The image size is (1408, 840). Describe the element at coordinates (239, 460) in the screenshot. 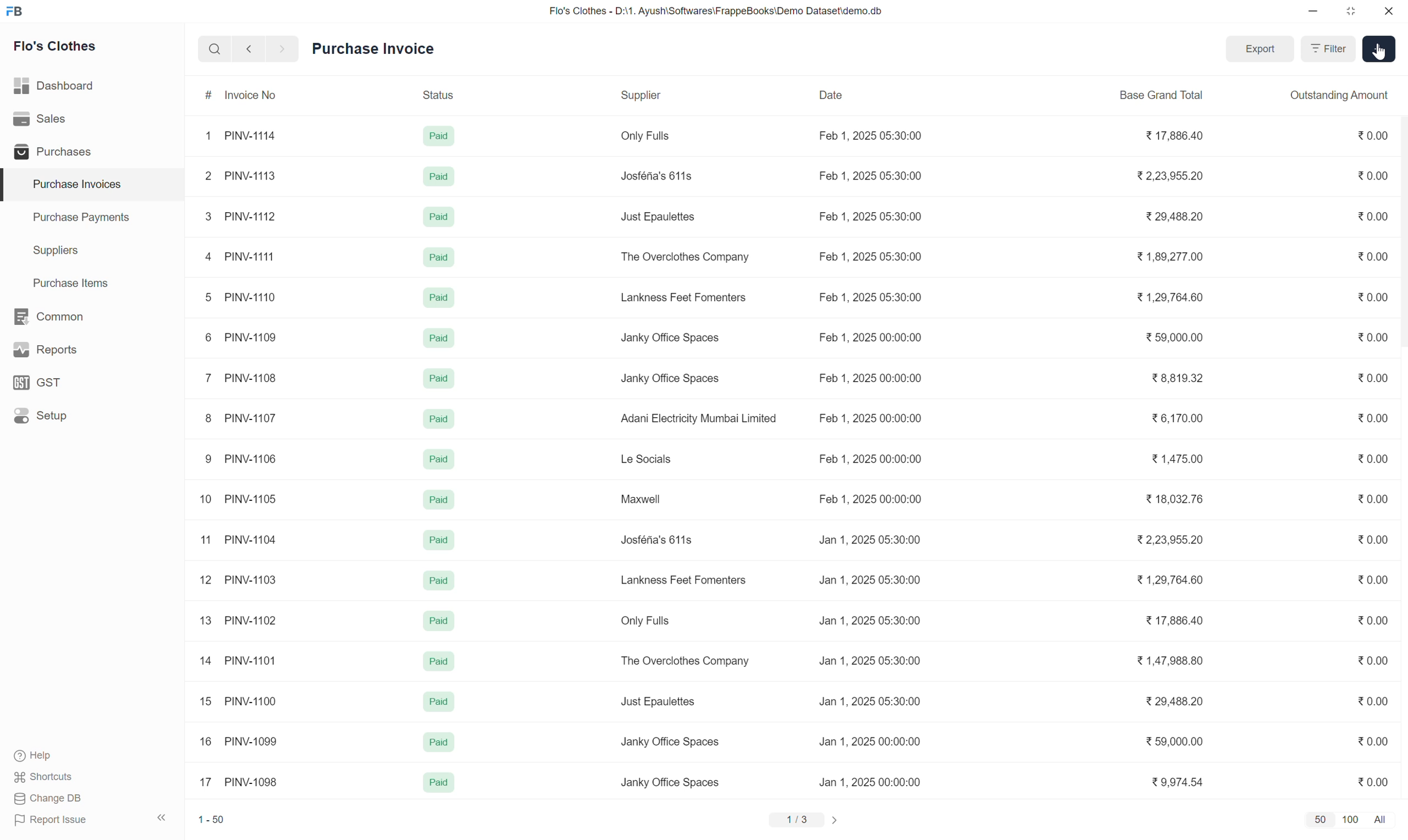

I see `9 PINV-1106` at that location.